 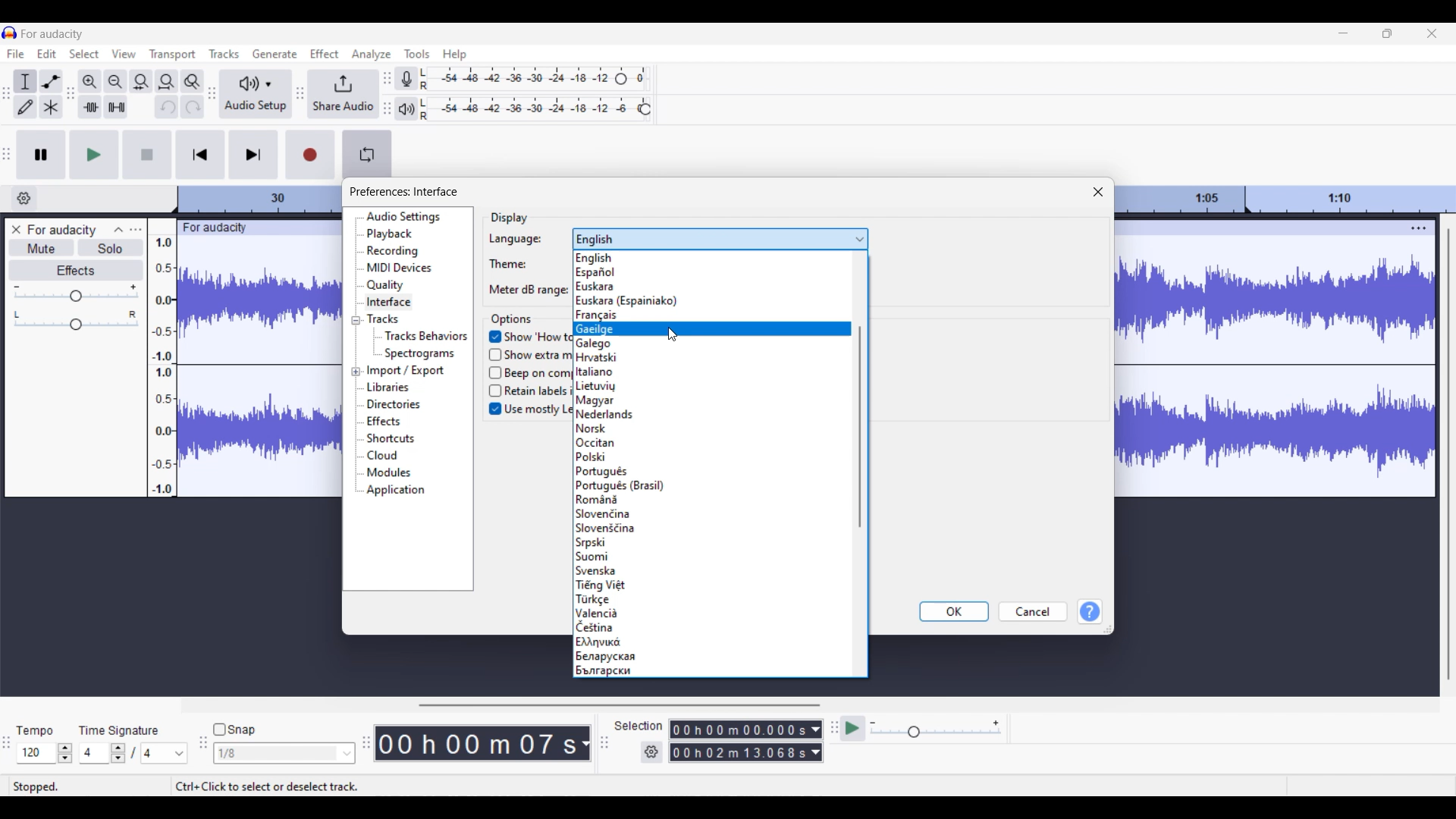 What do you see at coordinates (619, 705) in the screenshot?
I see `Horizontal slide bar` at bounding box center [619, 705].